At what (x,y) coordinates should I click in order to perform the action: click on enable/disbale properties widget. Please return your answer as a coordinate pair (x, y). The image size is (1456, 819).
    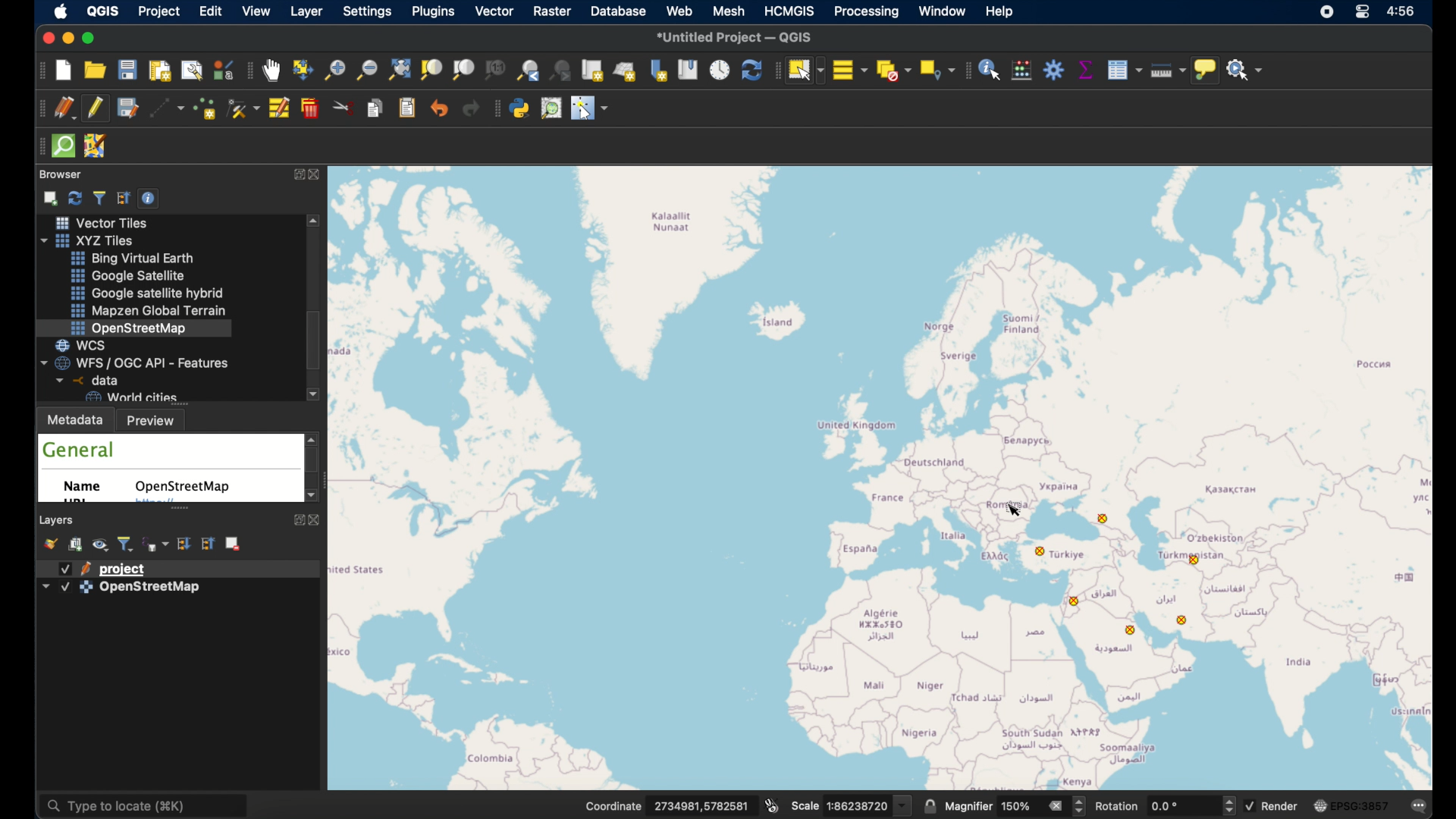
    Looking at the image, I should click on (151, 197).